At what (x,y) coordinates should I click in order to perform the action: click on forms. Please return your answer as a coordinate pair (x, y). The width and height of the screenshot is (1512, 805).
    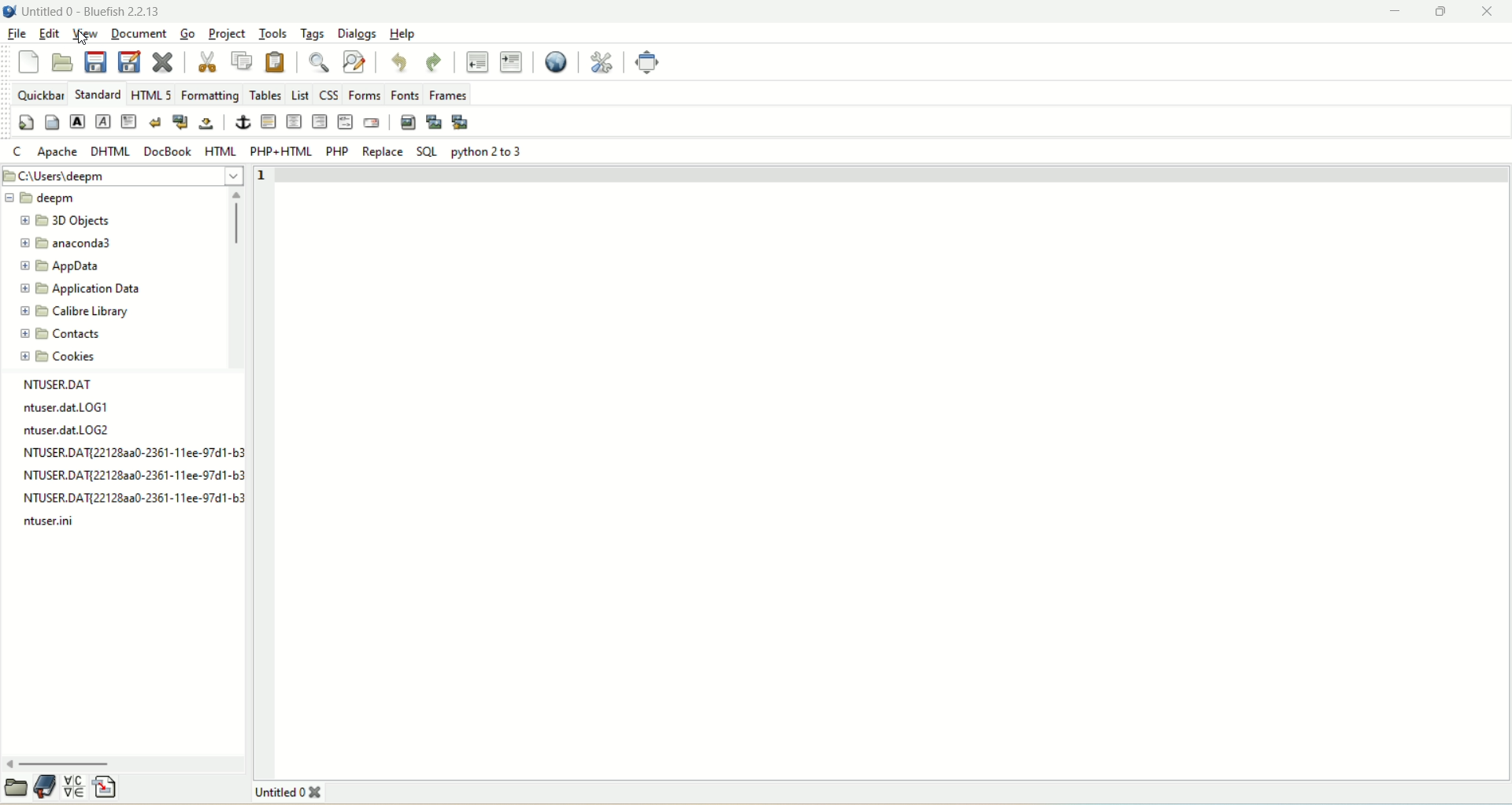
    Looking at the image, I should click on (365, 93).